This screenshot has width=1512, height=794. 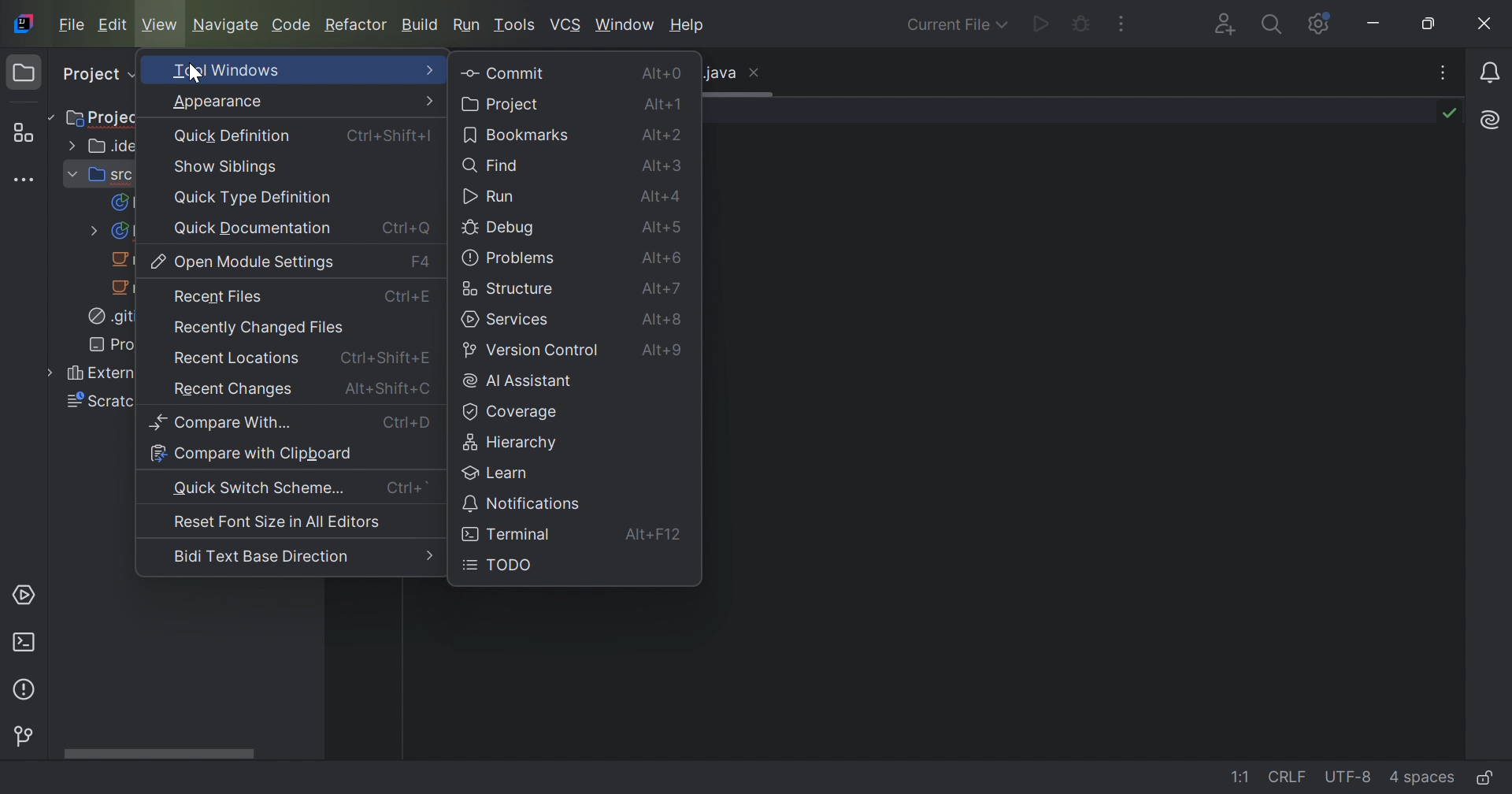 What do you see at coordinates (1489, 74) in the screenshot?
I see `Notifications` at bounding box center [1489, 74].